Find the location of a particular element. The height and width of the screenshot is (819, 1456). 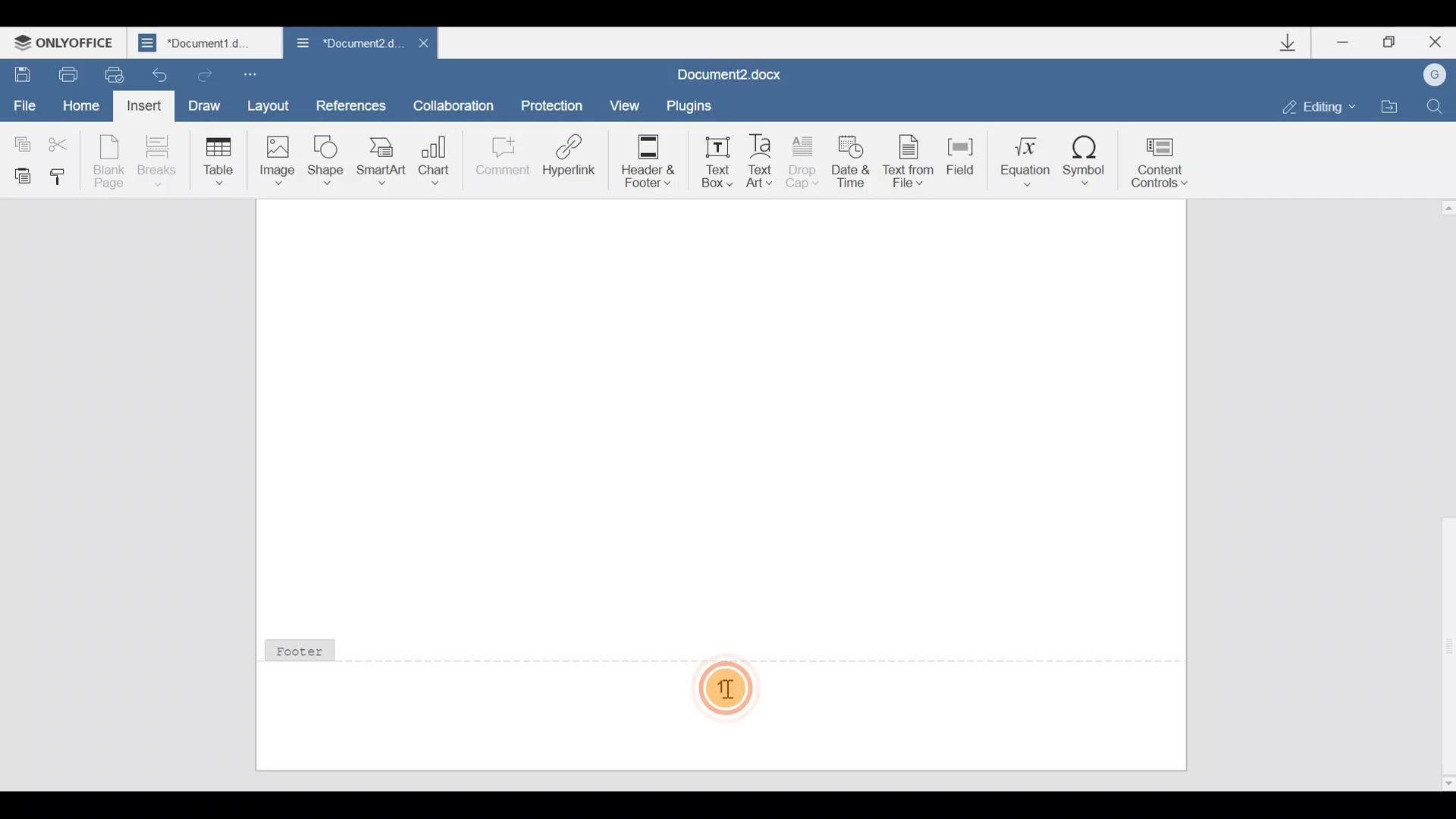

File is located at coordinates (26, 106).